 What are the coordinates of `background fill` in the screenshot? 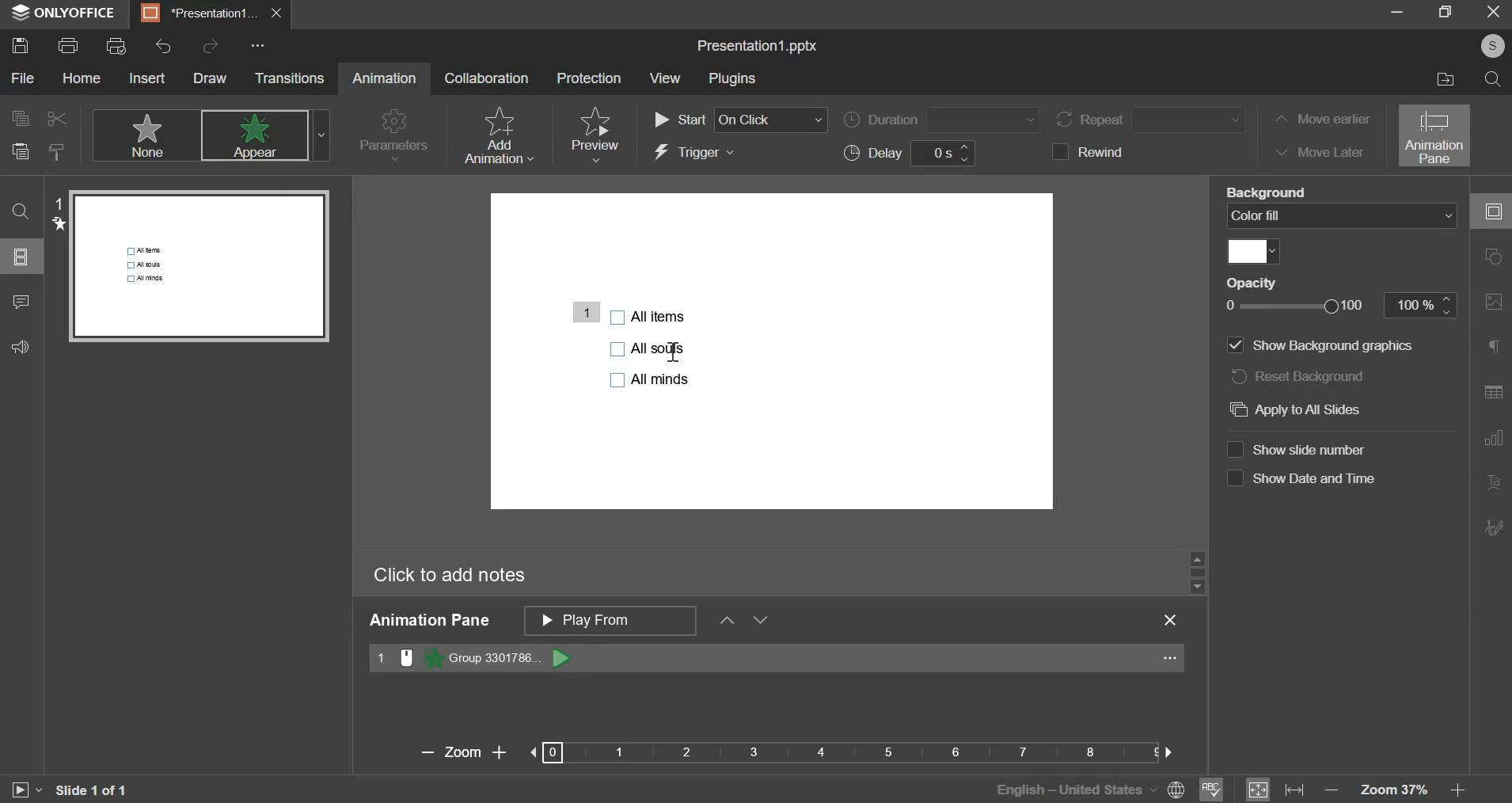 It's located at (1344, 215).